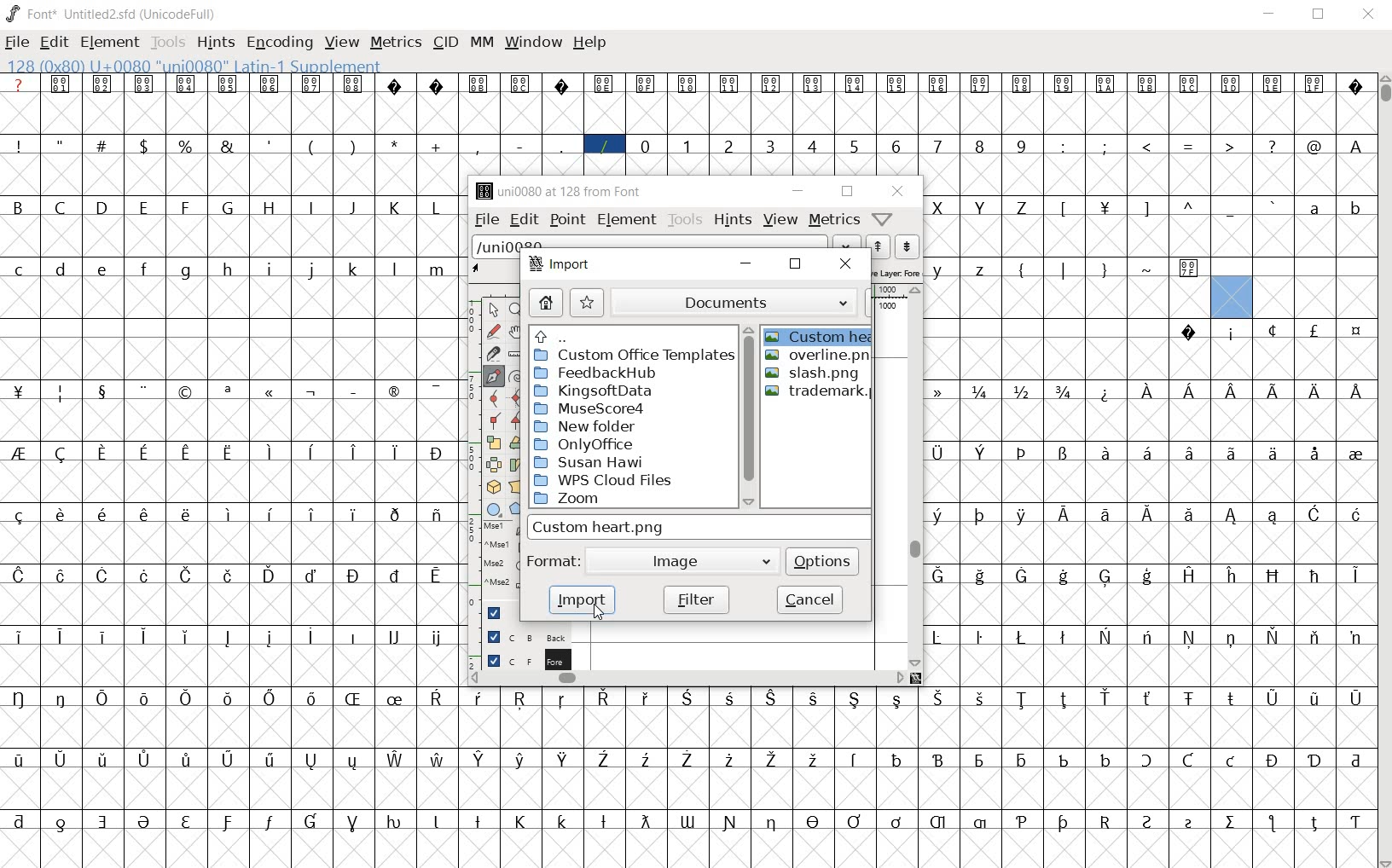  I want to click on home, so click(545, 303).